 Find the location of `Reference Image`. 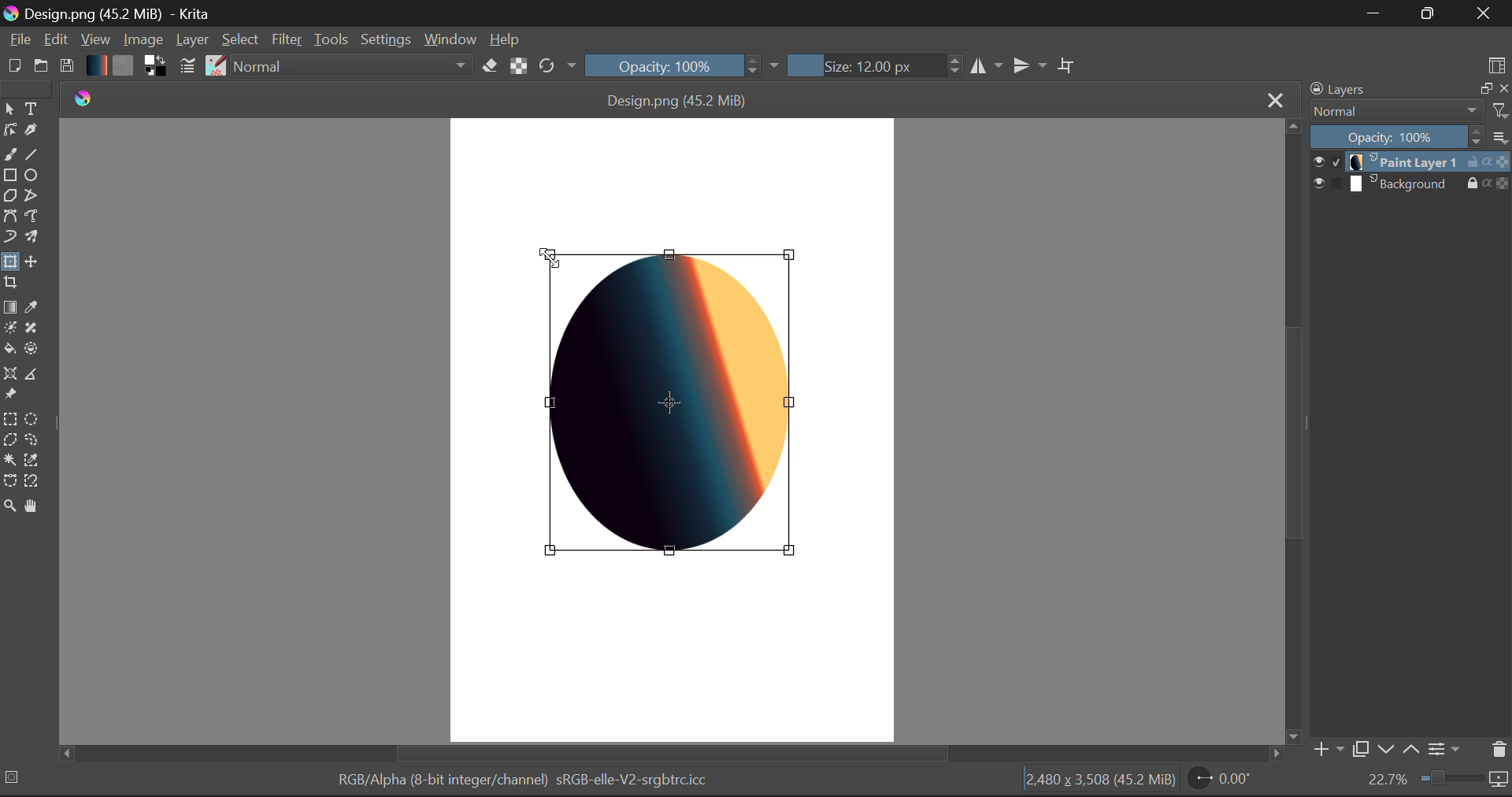

Reference Image is located at coordinates (9, 395).